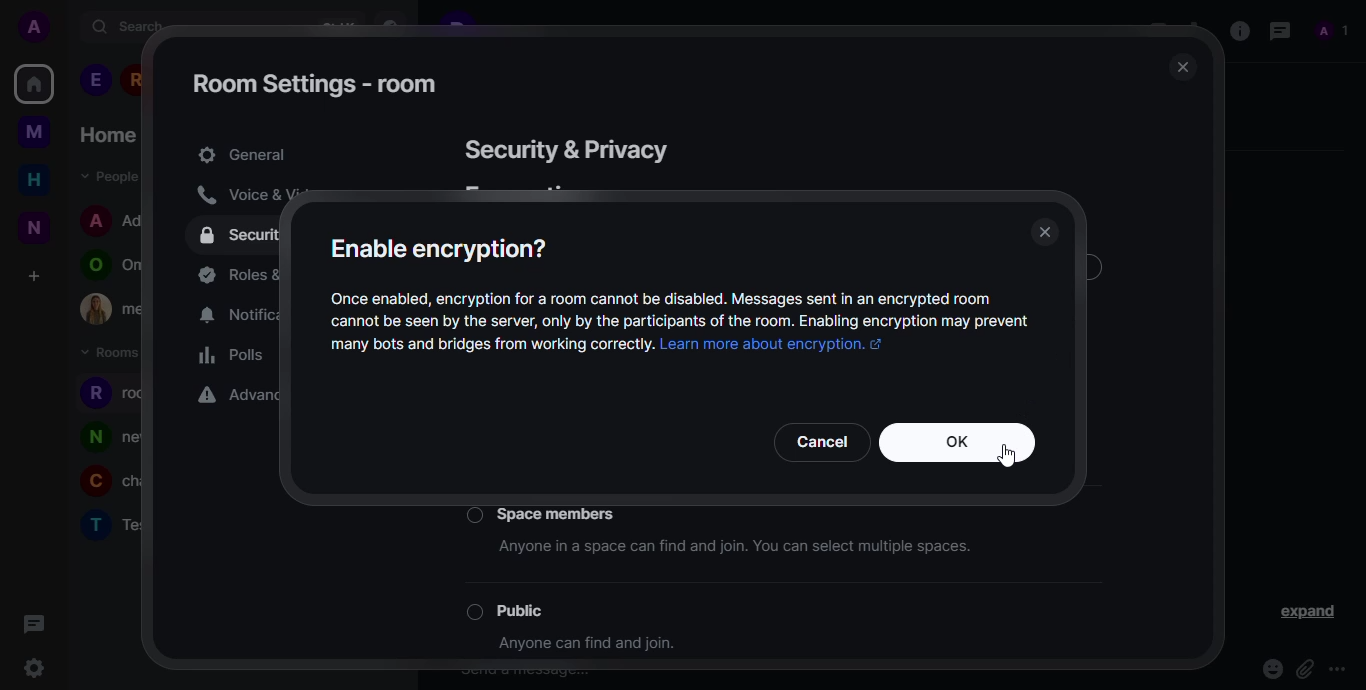 This screenshot has width=1366, height=690. What do you see at coordinates (33, 230) in the screenshot?
I see `New` at bounding box center [33, 230].